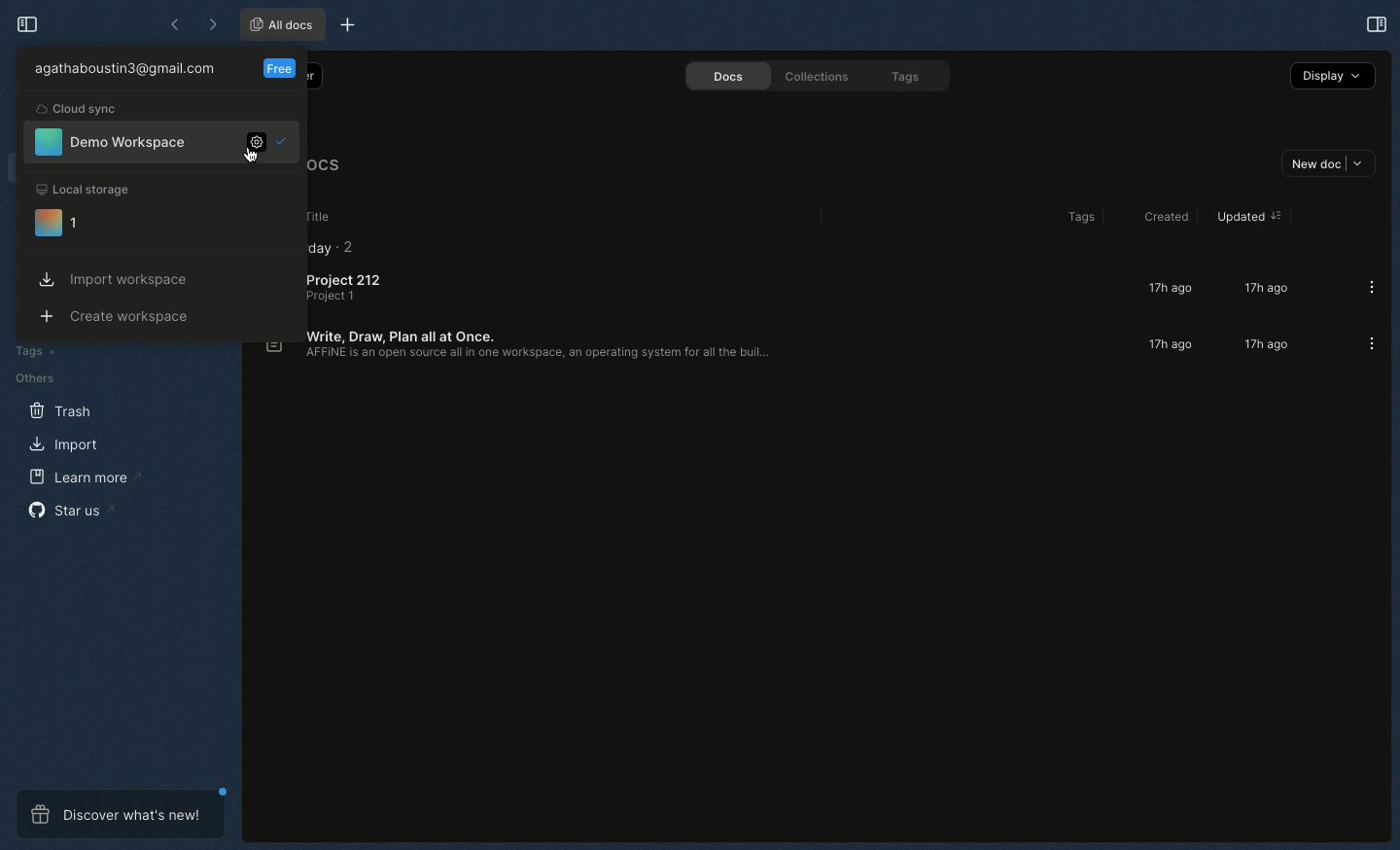 Image resolution: width=1400 pixels, height=850 pixels. I want to click on Create workspace, so click(118, 316).